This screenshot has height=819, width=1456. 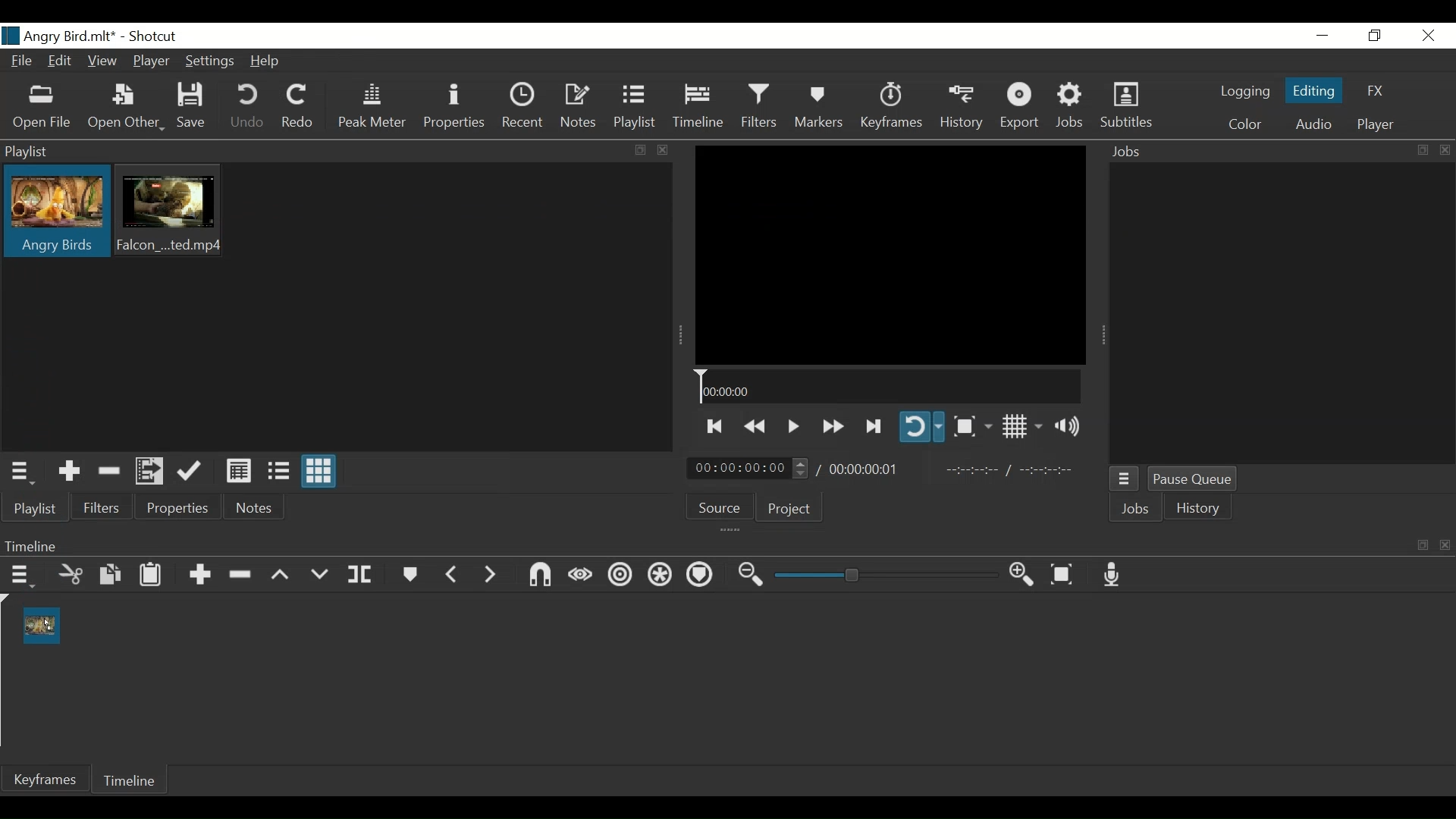 I want to click on Properties, so click(x=180, y=509).